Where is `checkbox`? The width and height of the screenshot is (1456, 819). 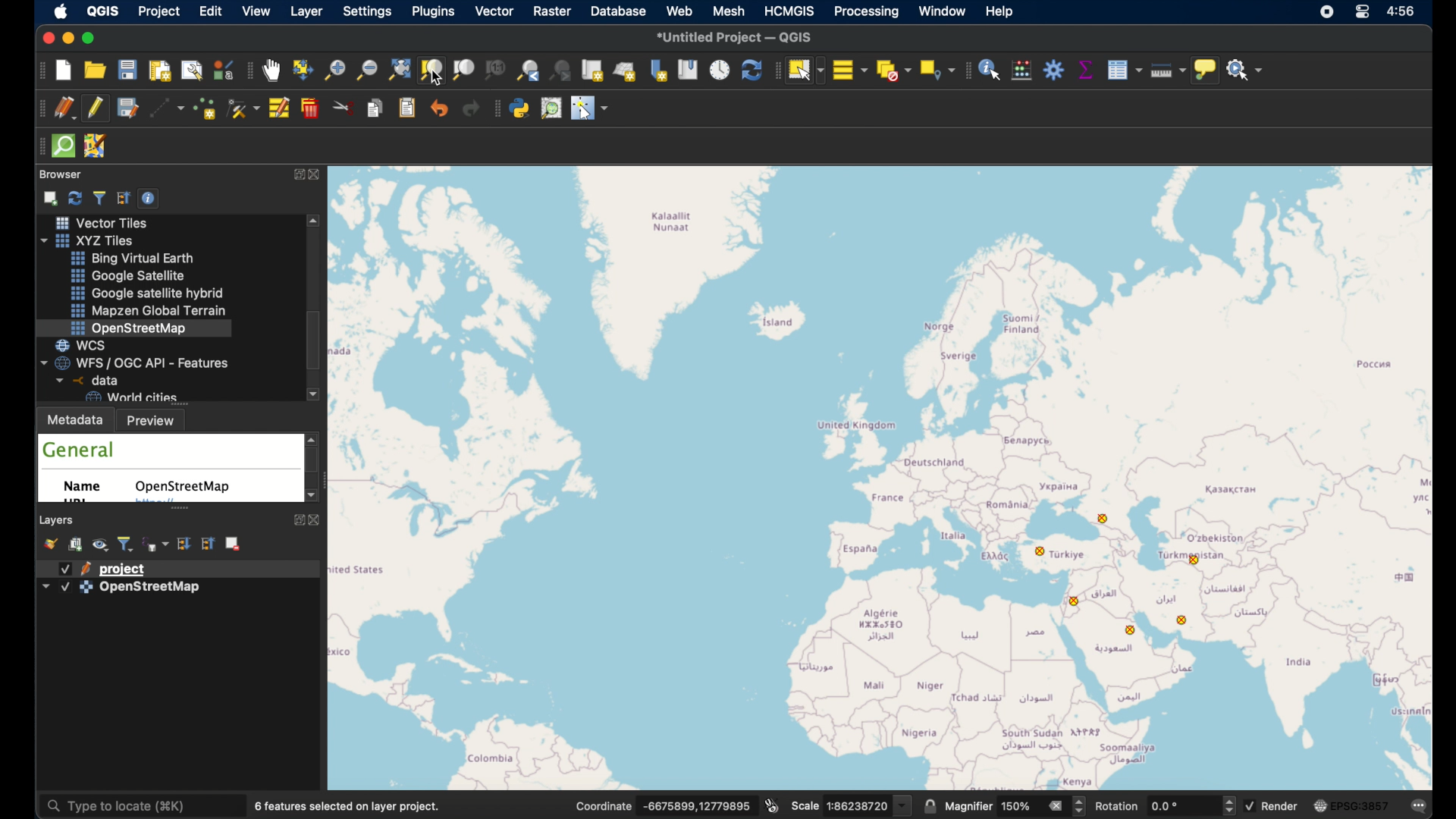 checkbox is located at coordinates (65, 588).